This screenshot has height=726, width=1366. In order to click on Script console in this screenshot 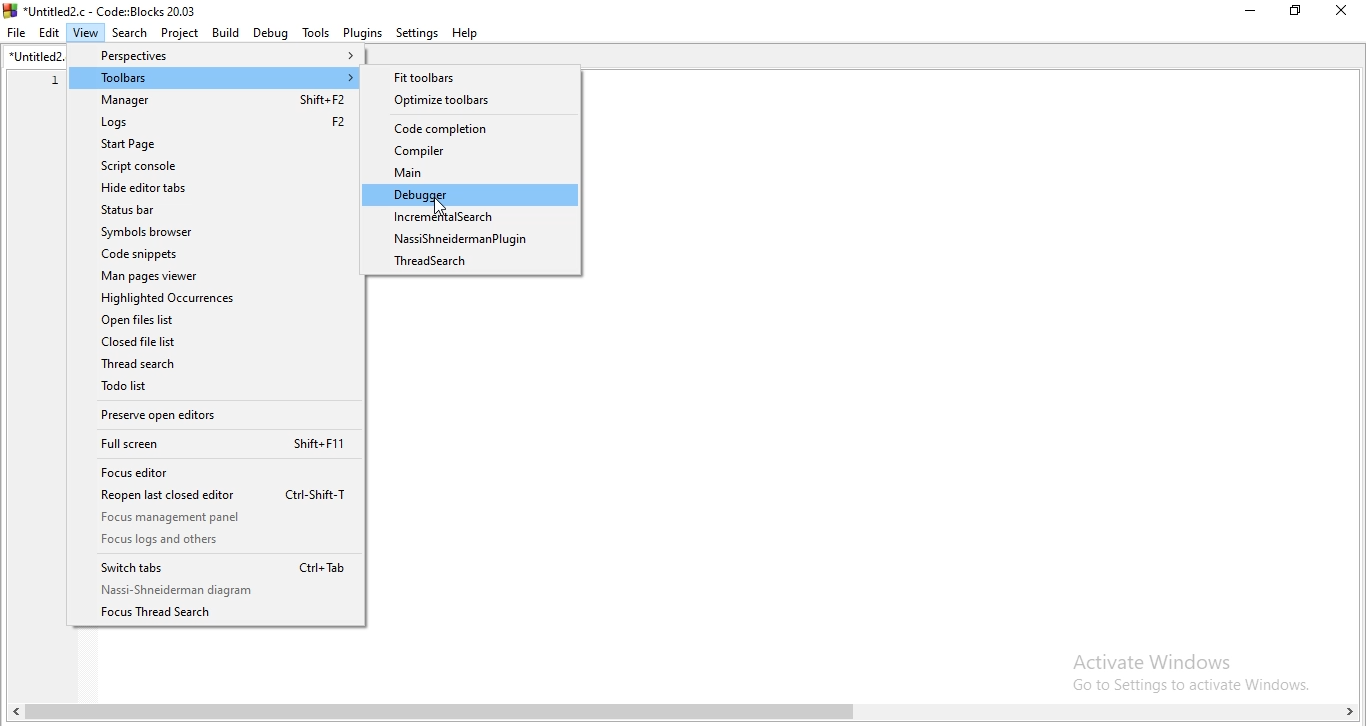, I will do `click(207, 166)`.